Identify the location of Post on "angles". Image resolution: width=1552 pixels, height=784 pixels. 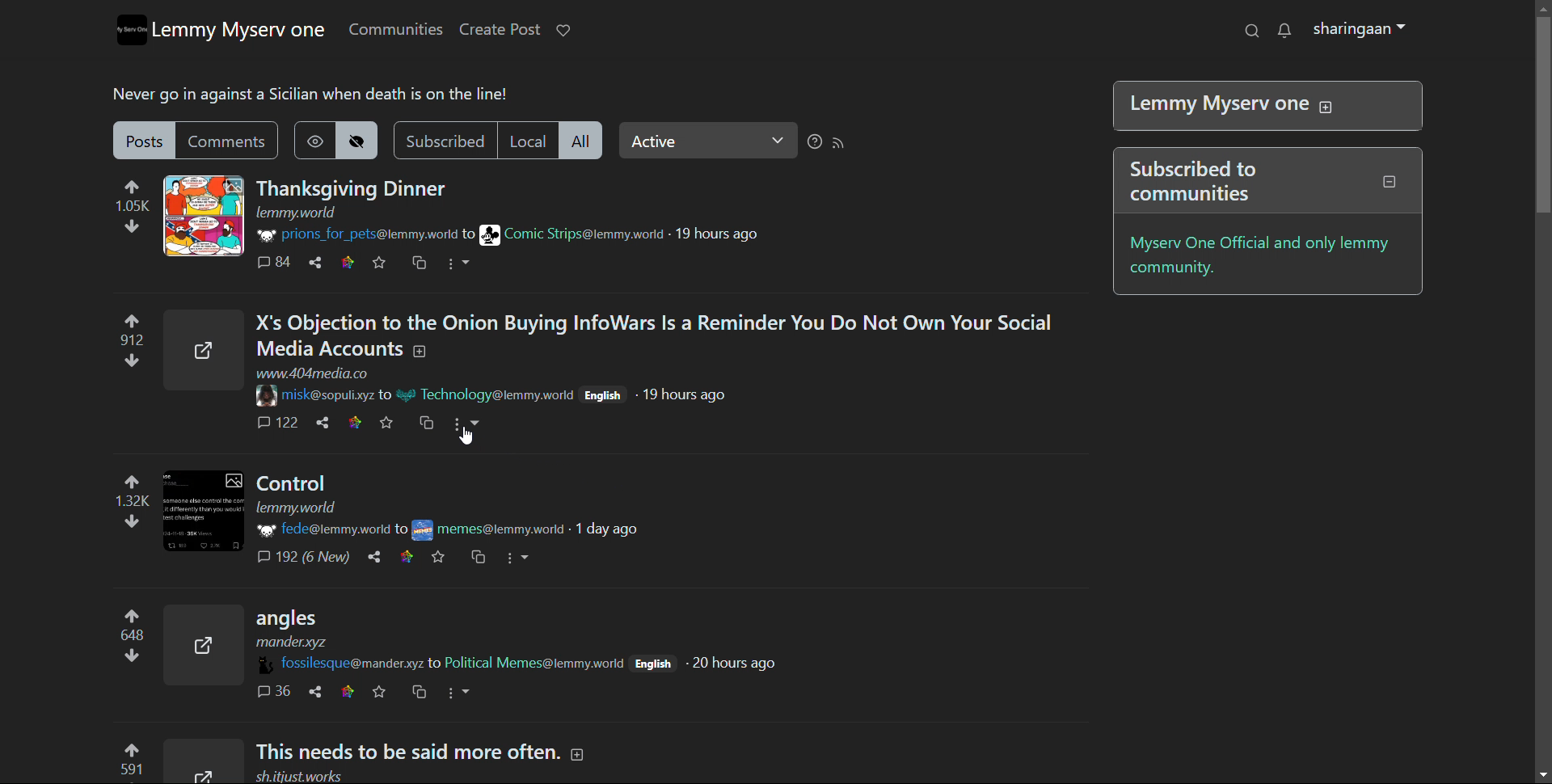
(436, 630).